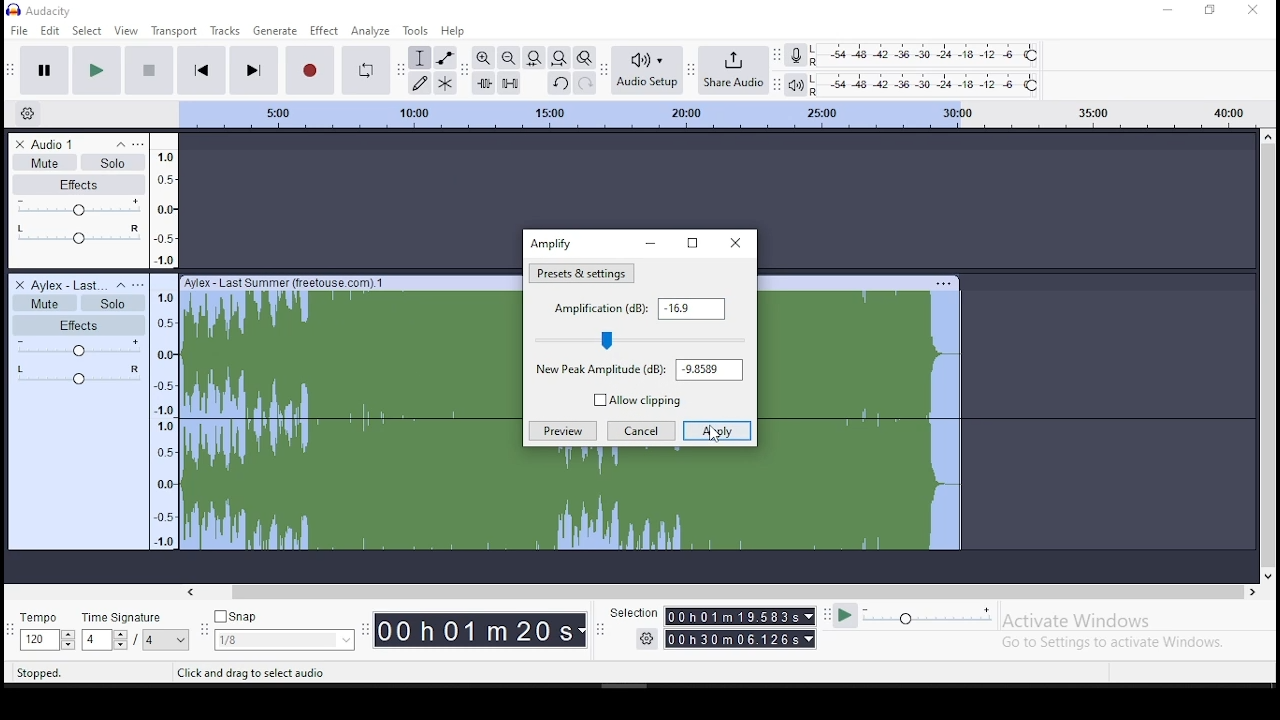 This screenshot has width=1280, height=720. I want to click on zoom in, so click(483, 57).